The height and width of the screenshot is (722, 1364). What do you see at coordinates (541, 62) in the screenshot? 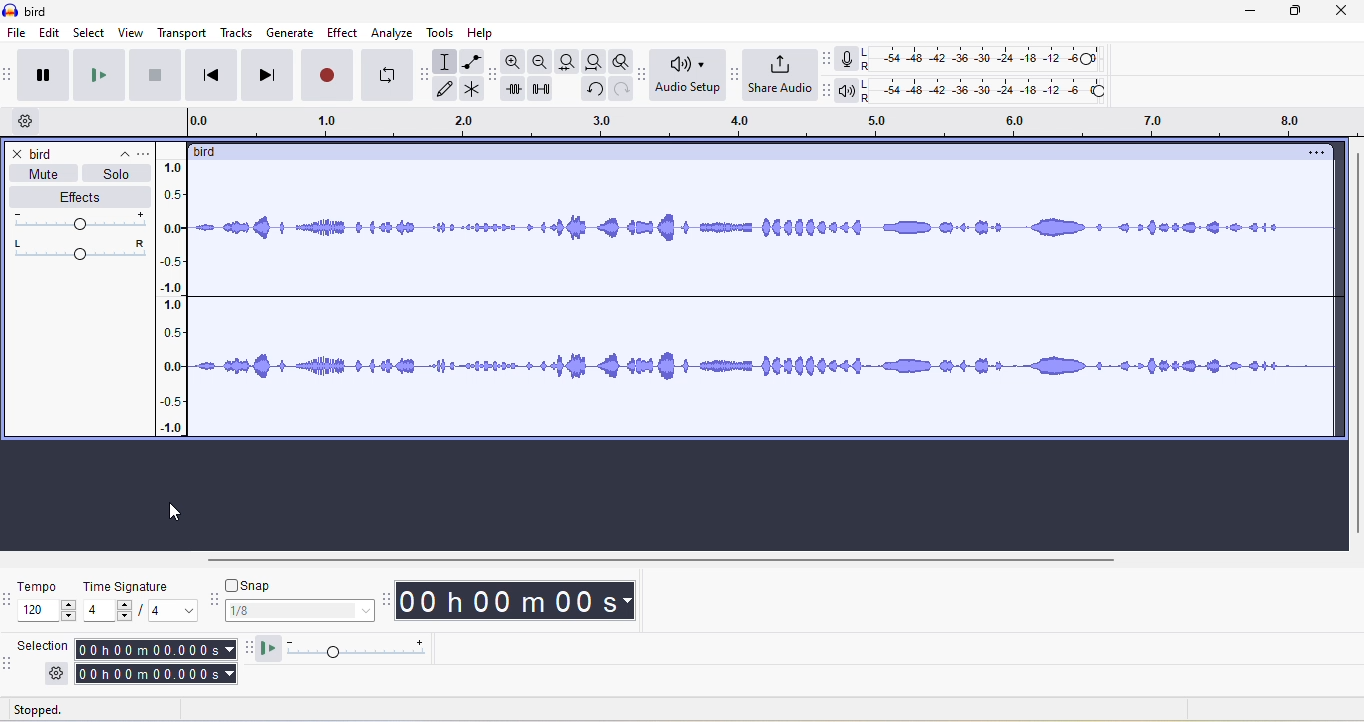
I see `zoom out` at bounding box center [541, 62].